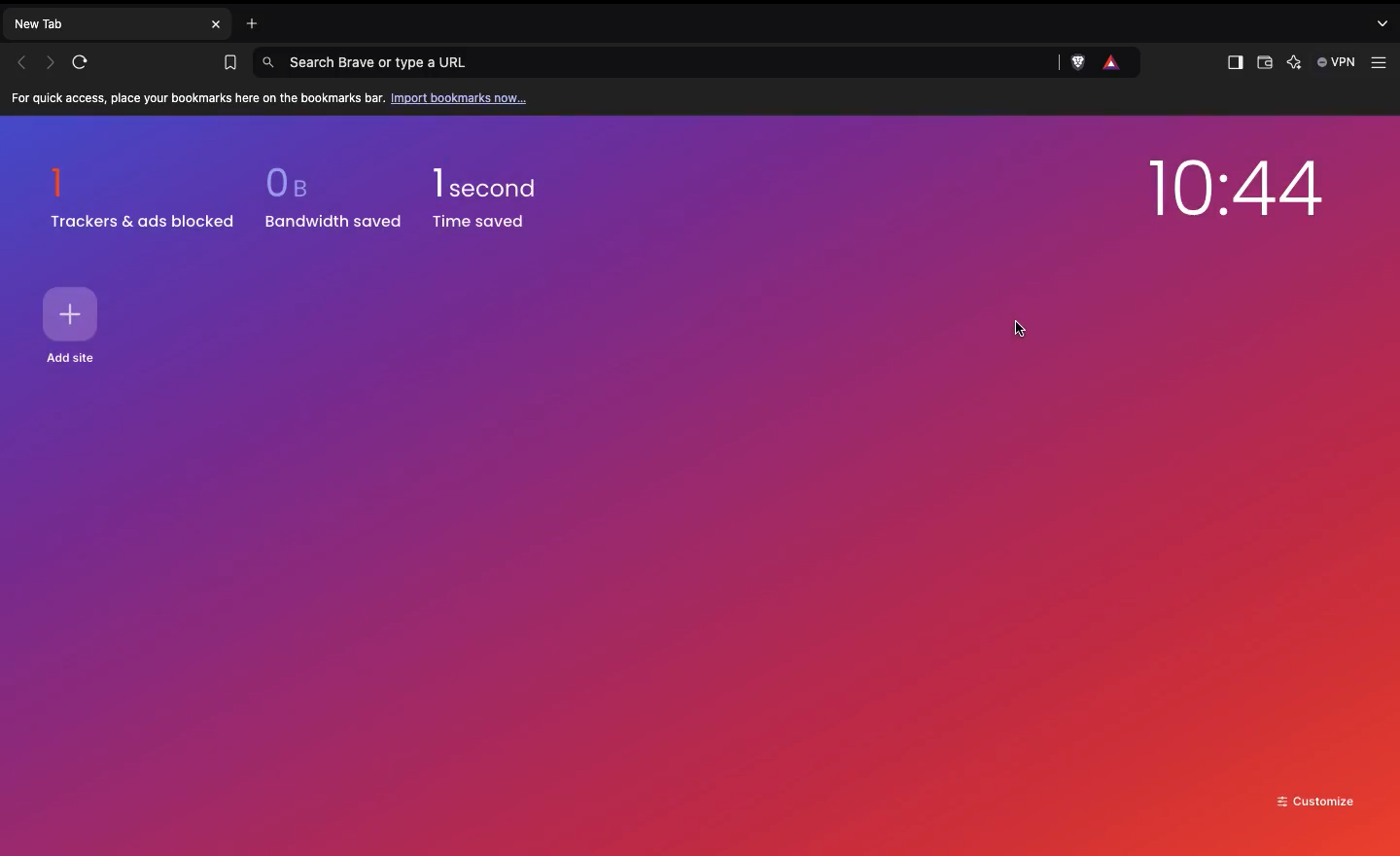 The width and height of the screenshot is (1400, 856). I want to click on Brave Shields, so click(1081, 62).